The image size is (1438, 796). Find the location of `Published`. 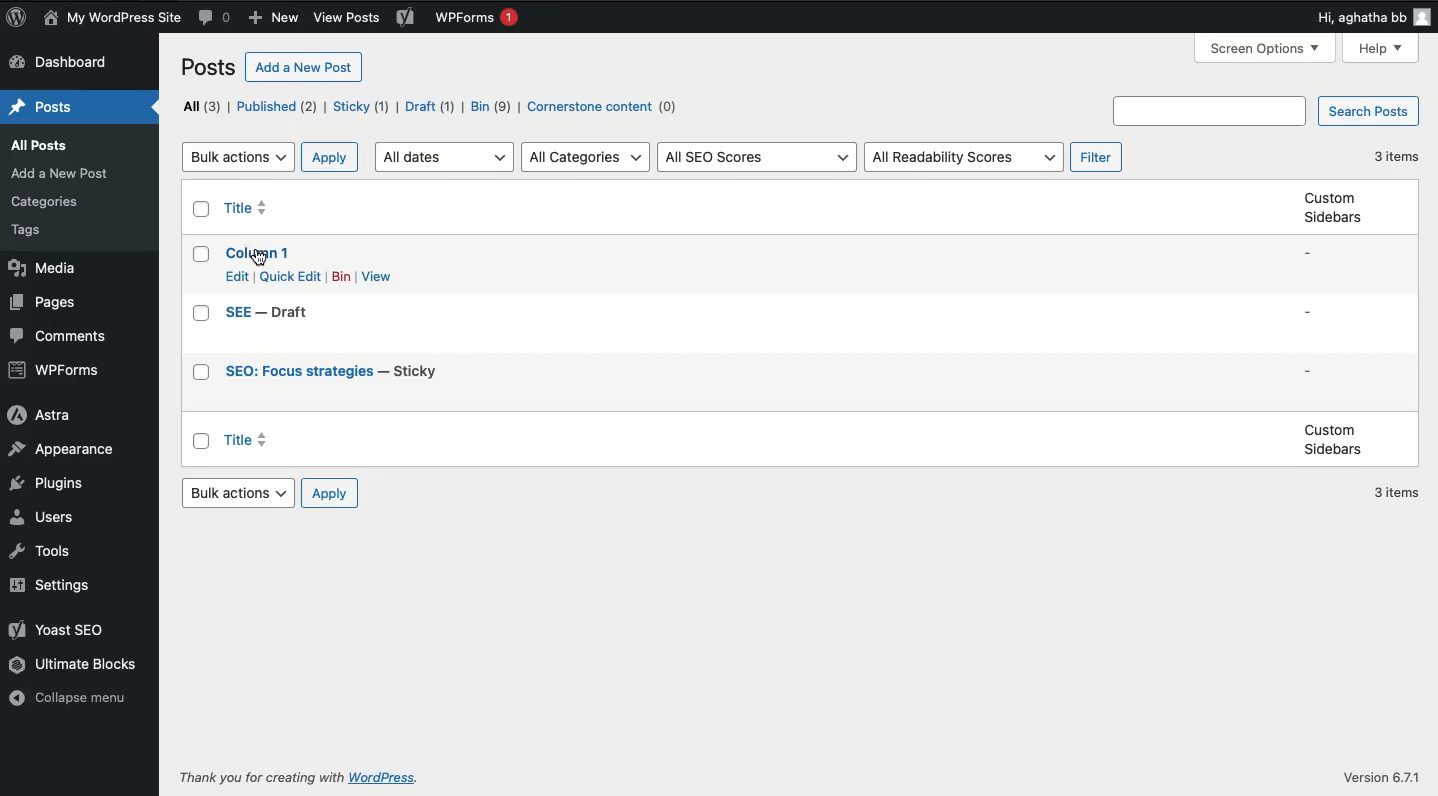

Published is located at coordinates (278, 106).